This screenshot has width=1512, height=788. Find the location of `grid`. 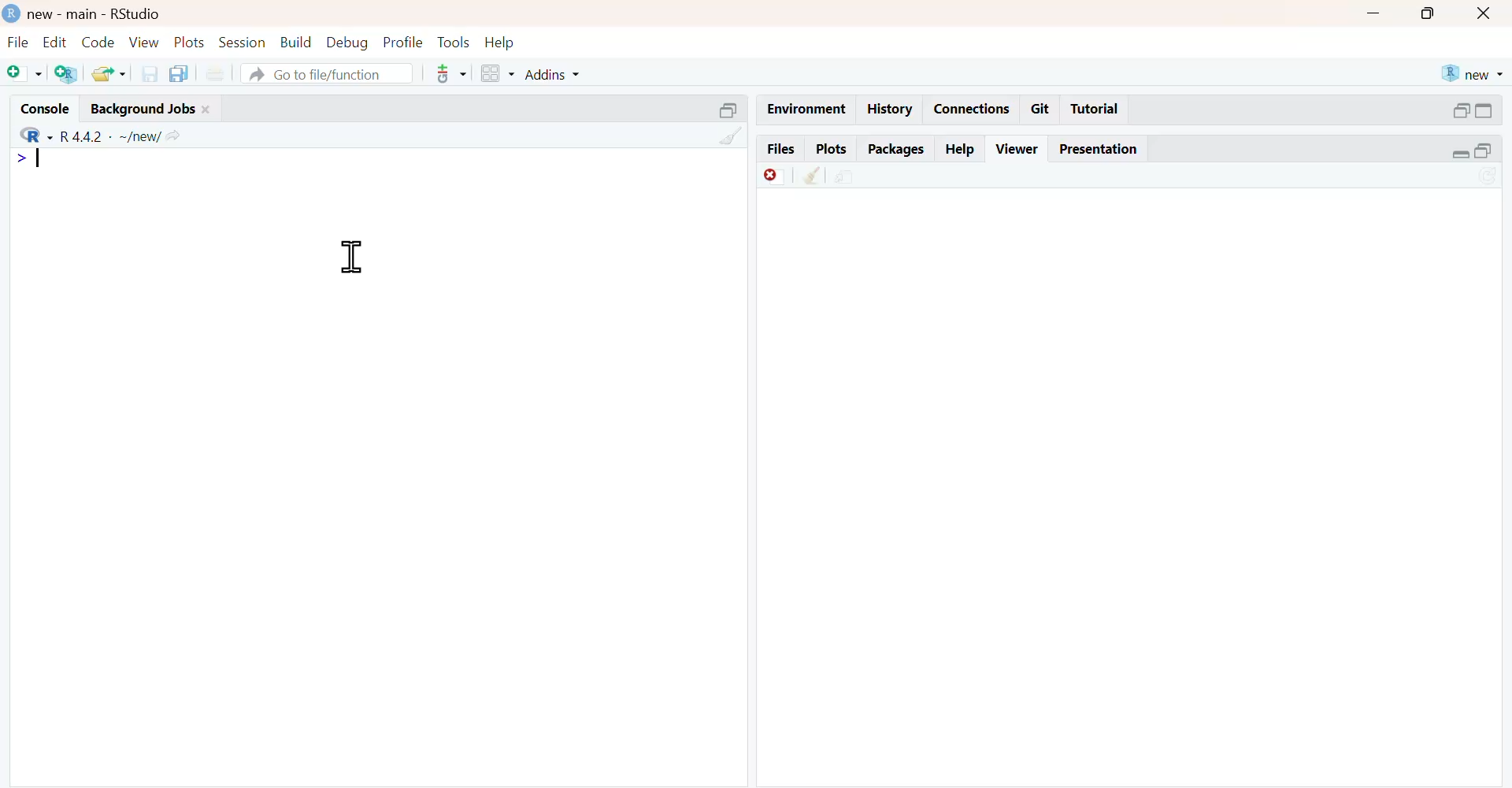

grid is located at coordinates (498, 73).